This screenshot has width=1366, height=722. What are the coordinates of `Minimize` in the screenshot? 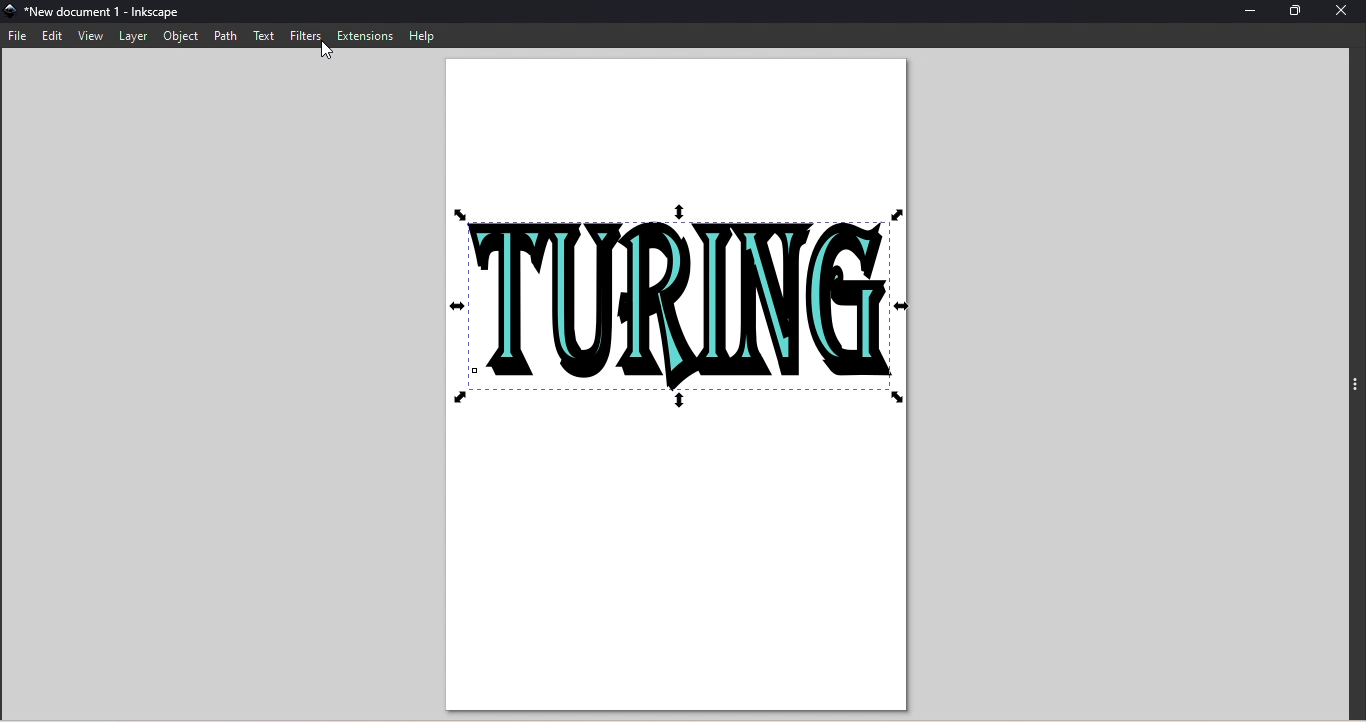 It's located at (1251, 11).